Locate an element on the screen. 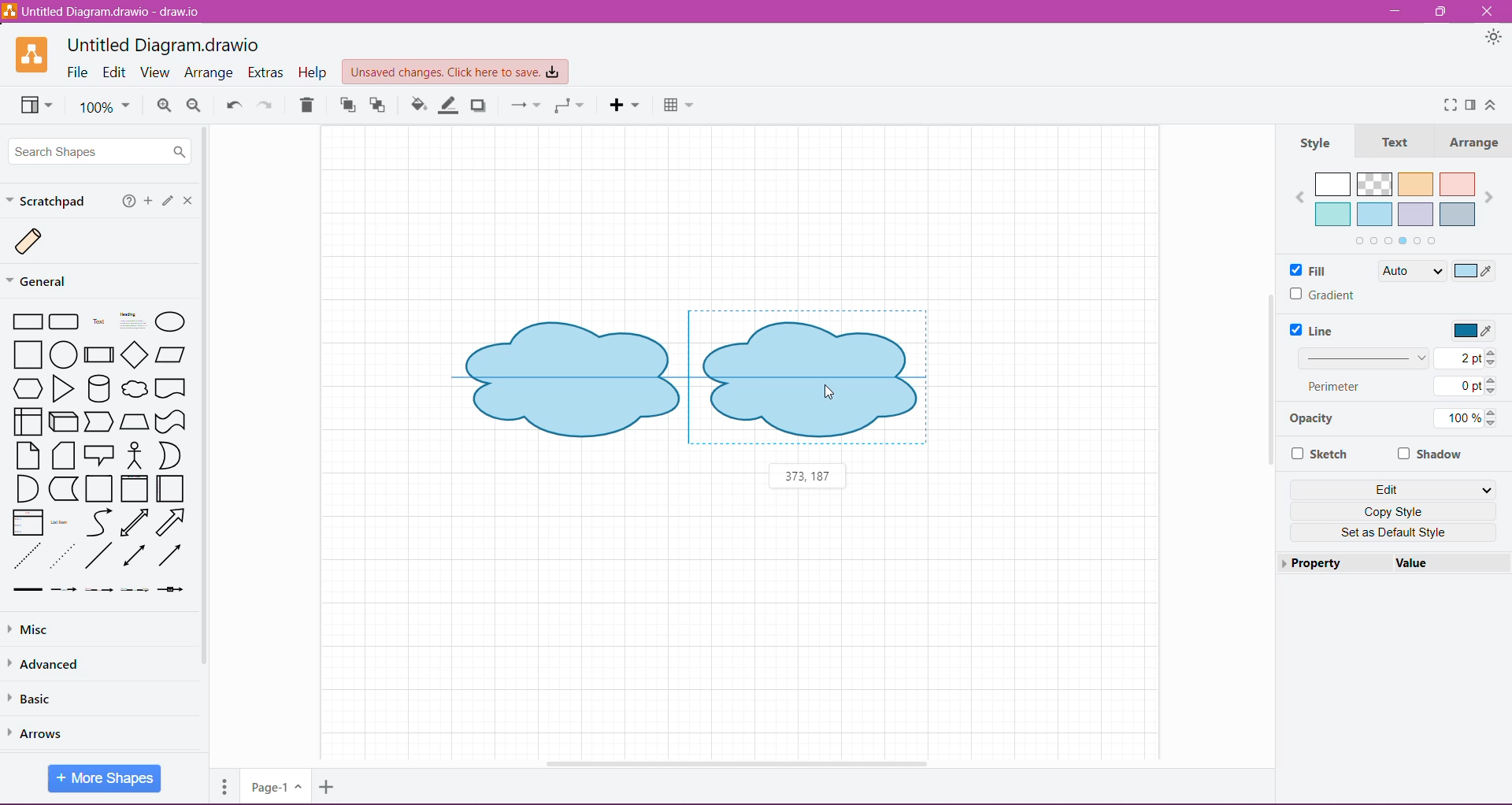  Help is located at coordinates (129, 202).